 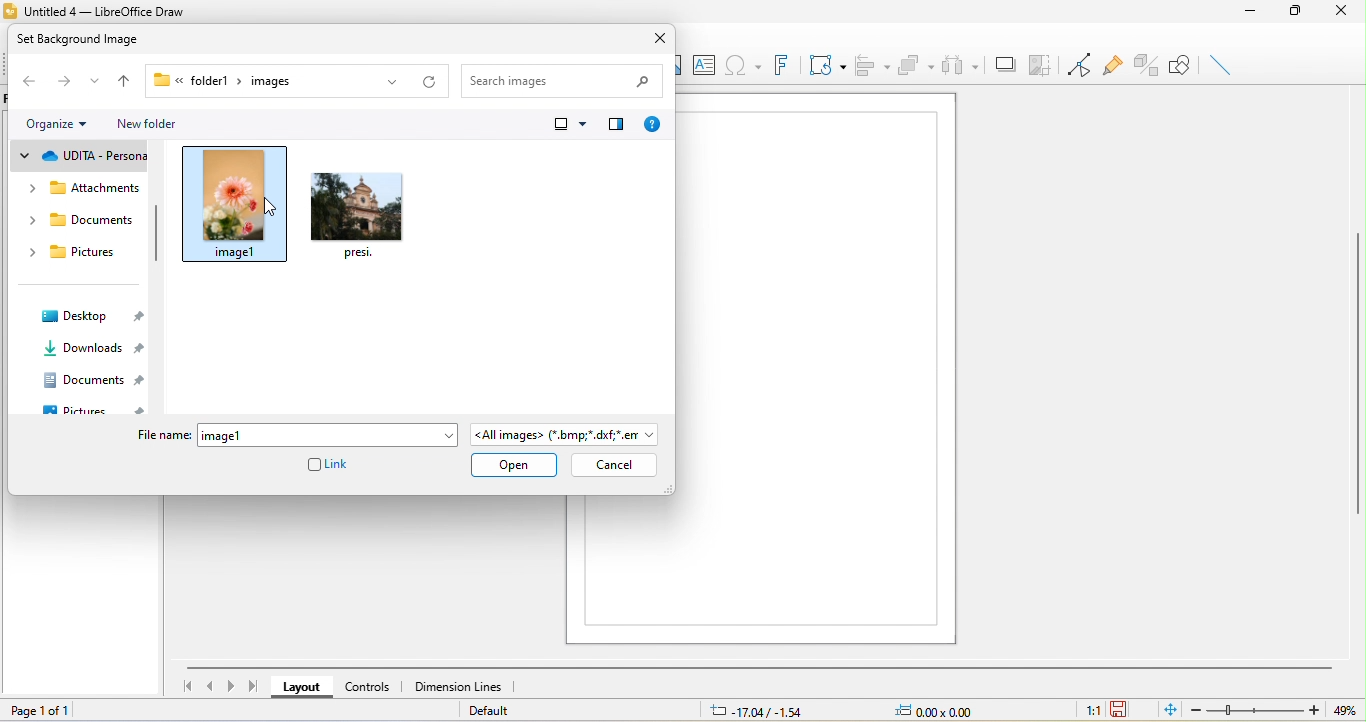 I want to click on page 1 of 1, so click(x=50, y=711).